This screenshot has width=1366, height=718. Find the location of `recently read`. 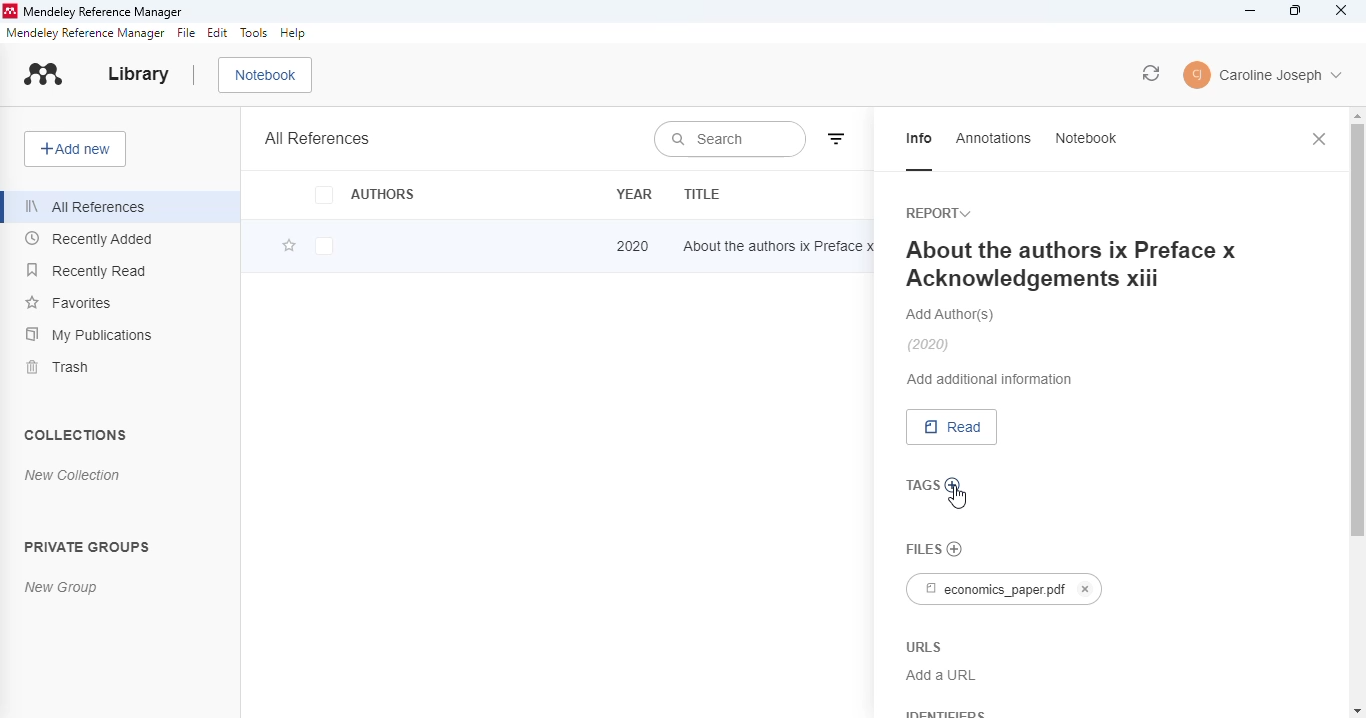

recently read is located at coordinates (85, 270).